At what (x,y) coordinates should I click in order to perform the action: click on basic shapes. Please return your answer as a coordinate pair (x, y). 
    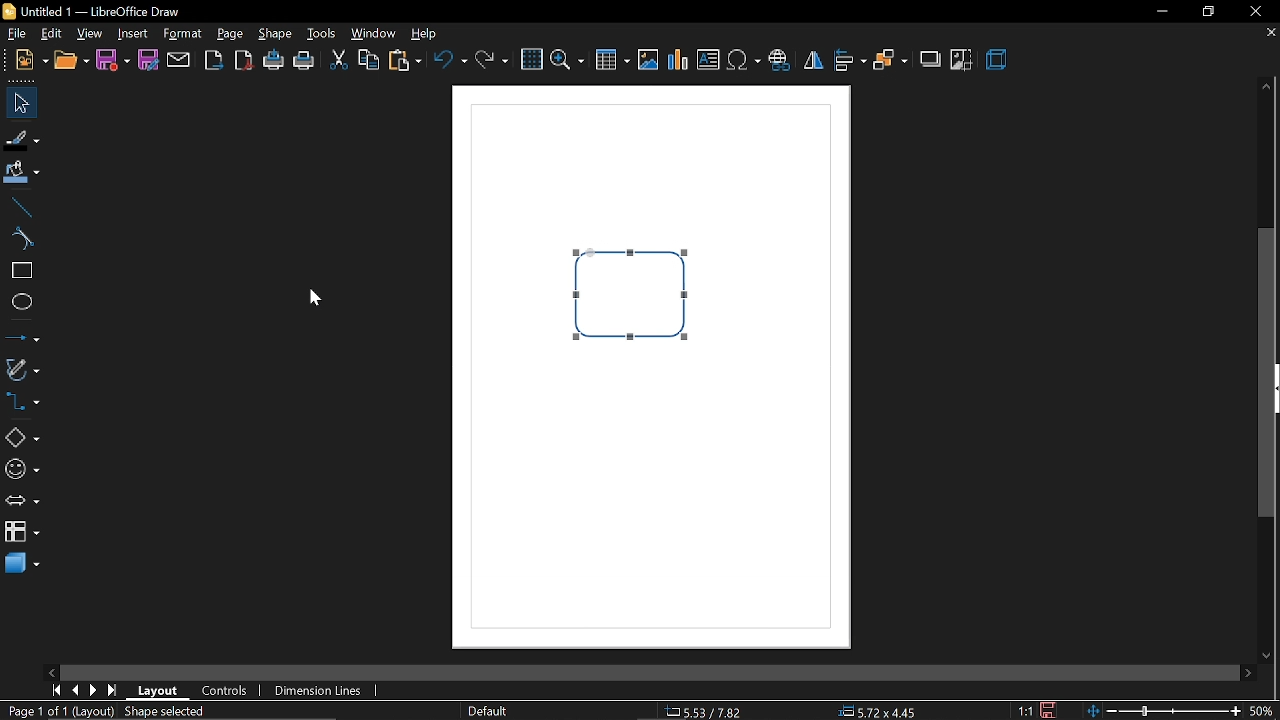
    Looking at the image, I should click on (22, 439).